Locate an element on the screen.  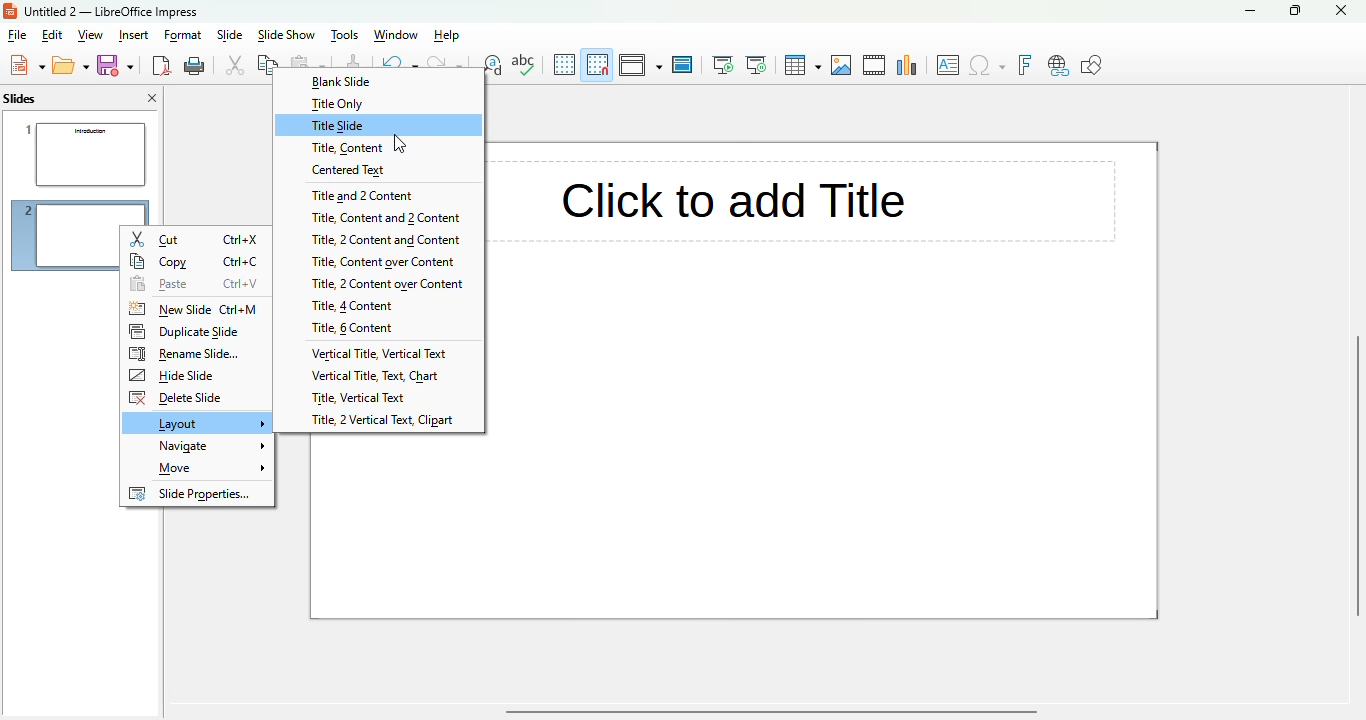
insert fontwork text is located at coordinates (1024, 65).